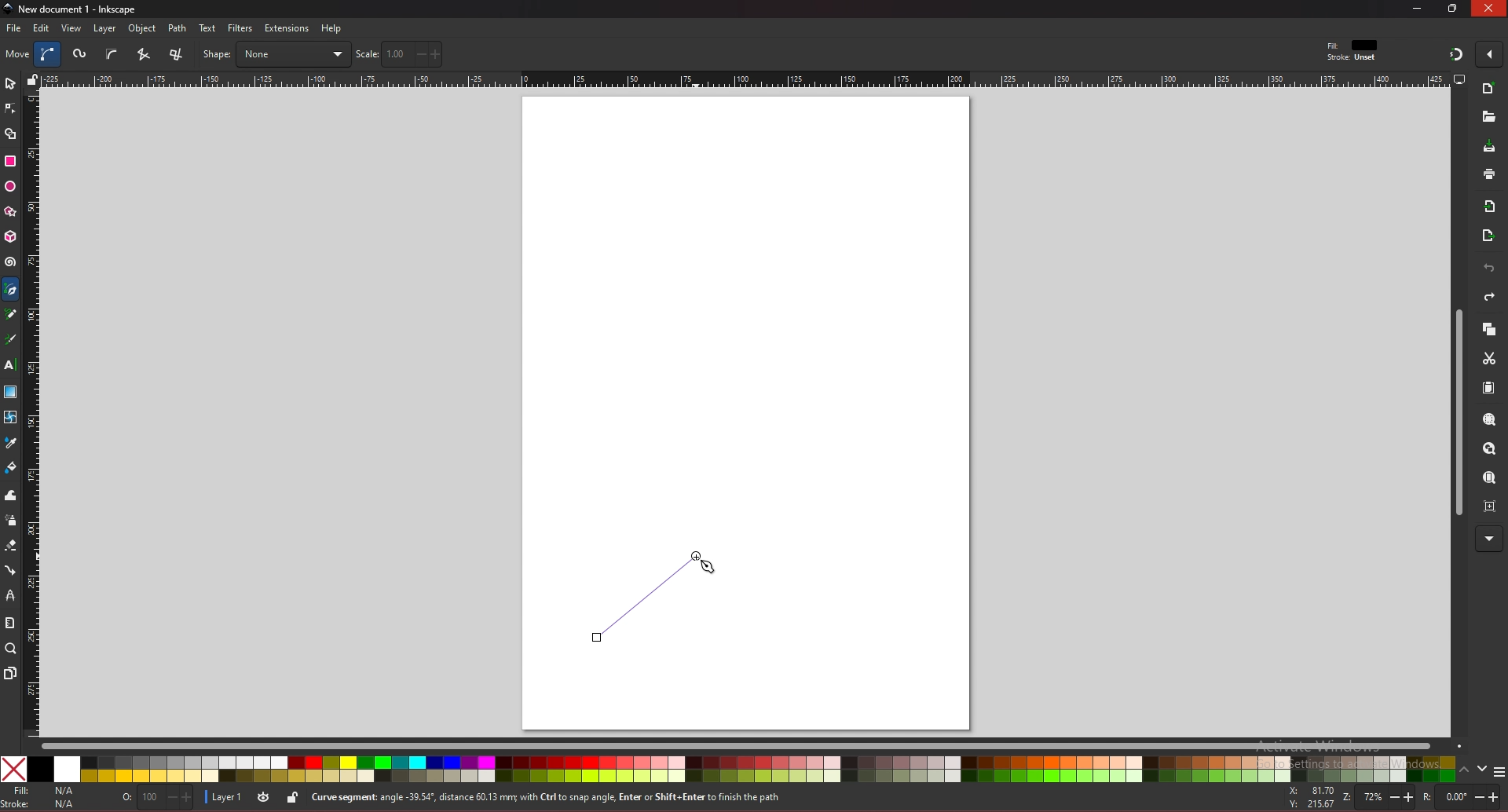  Describe the element at coordinates (1490, 148) in the screenshot. I see `save` at that location.